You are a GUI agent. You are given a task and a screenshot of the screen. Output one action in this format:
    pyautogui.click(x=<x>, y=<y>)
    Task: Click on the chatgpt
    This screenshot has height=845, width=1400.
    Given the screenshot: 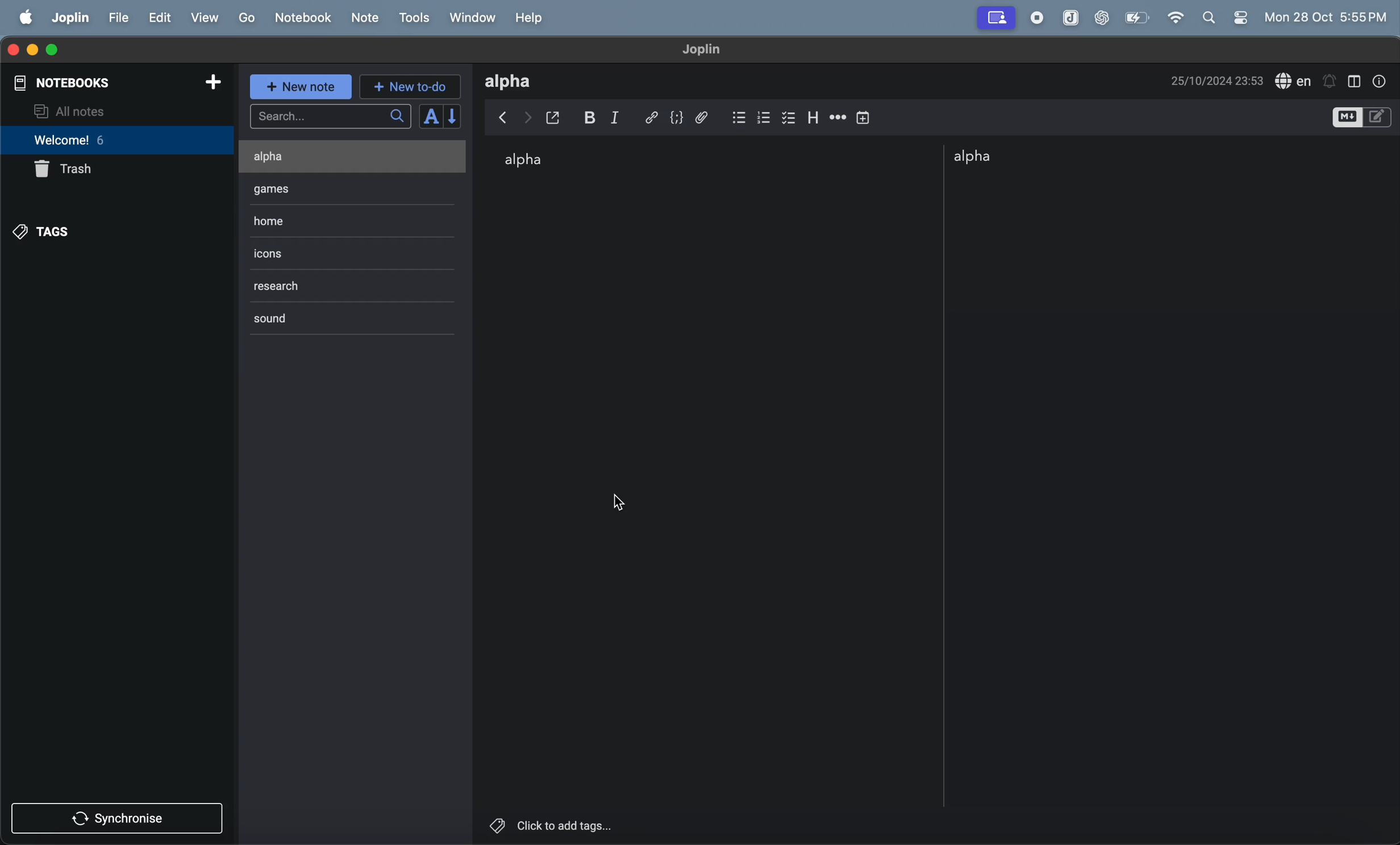 What is the action you would take?
    pyautogui.click(x=1101, y=18)
    